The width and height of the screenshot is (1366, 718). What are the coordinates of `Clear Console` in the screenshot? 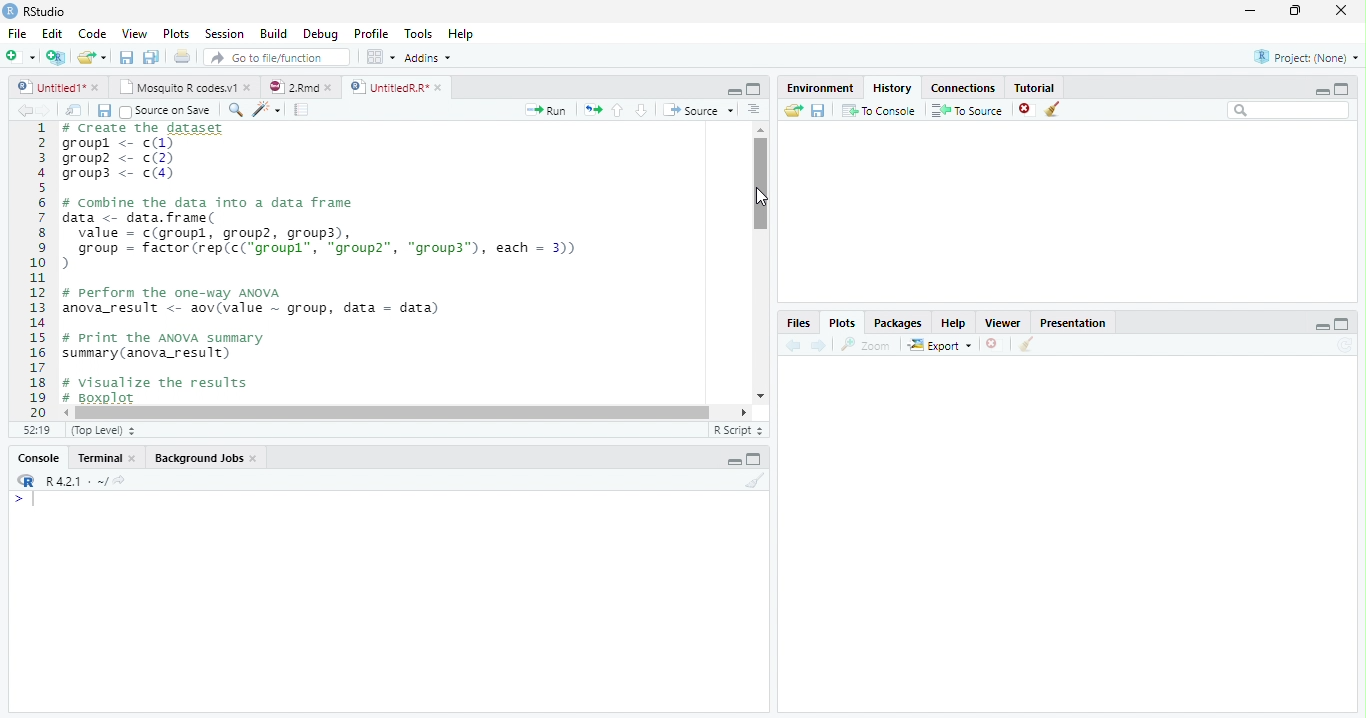 It's located at (1024, 345).